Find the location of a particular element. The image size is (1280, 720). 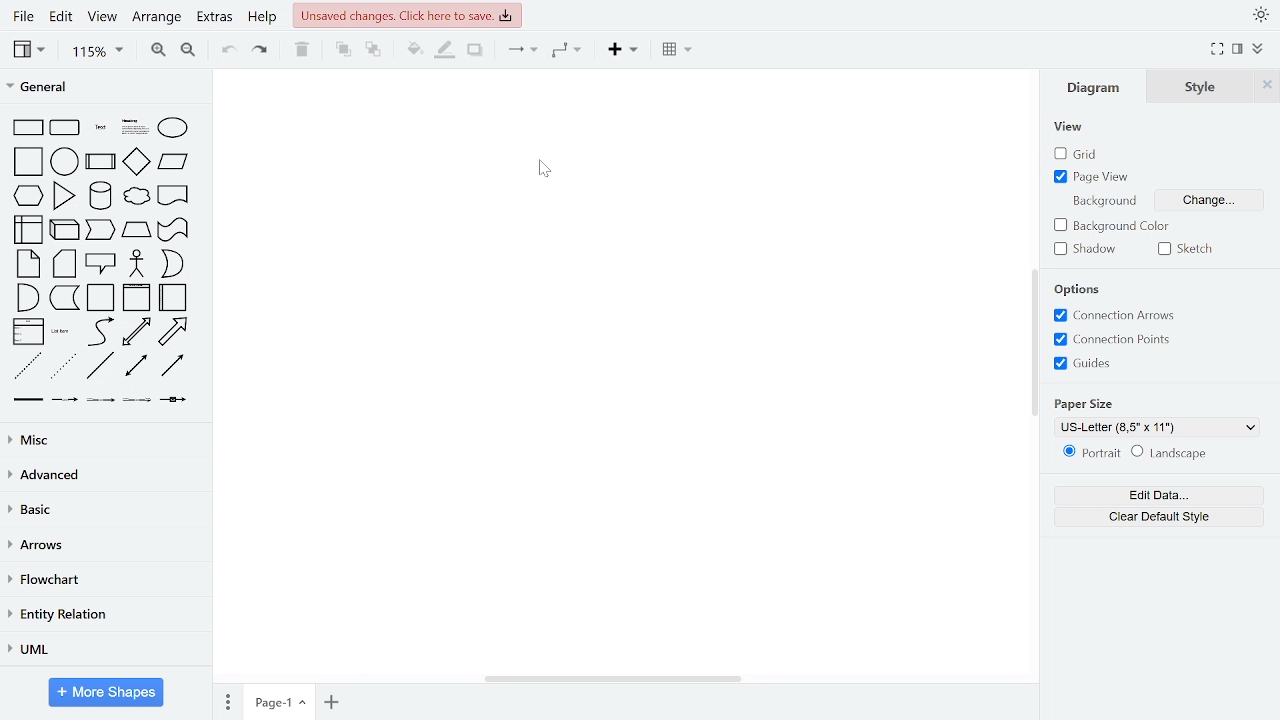

callout is located at coordinates (102, 263).